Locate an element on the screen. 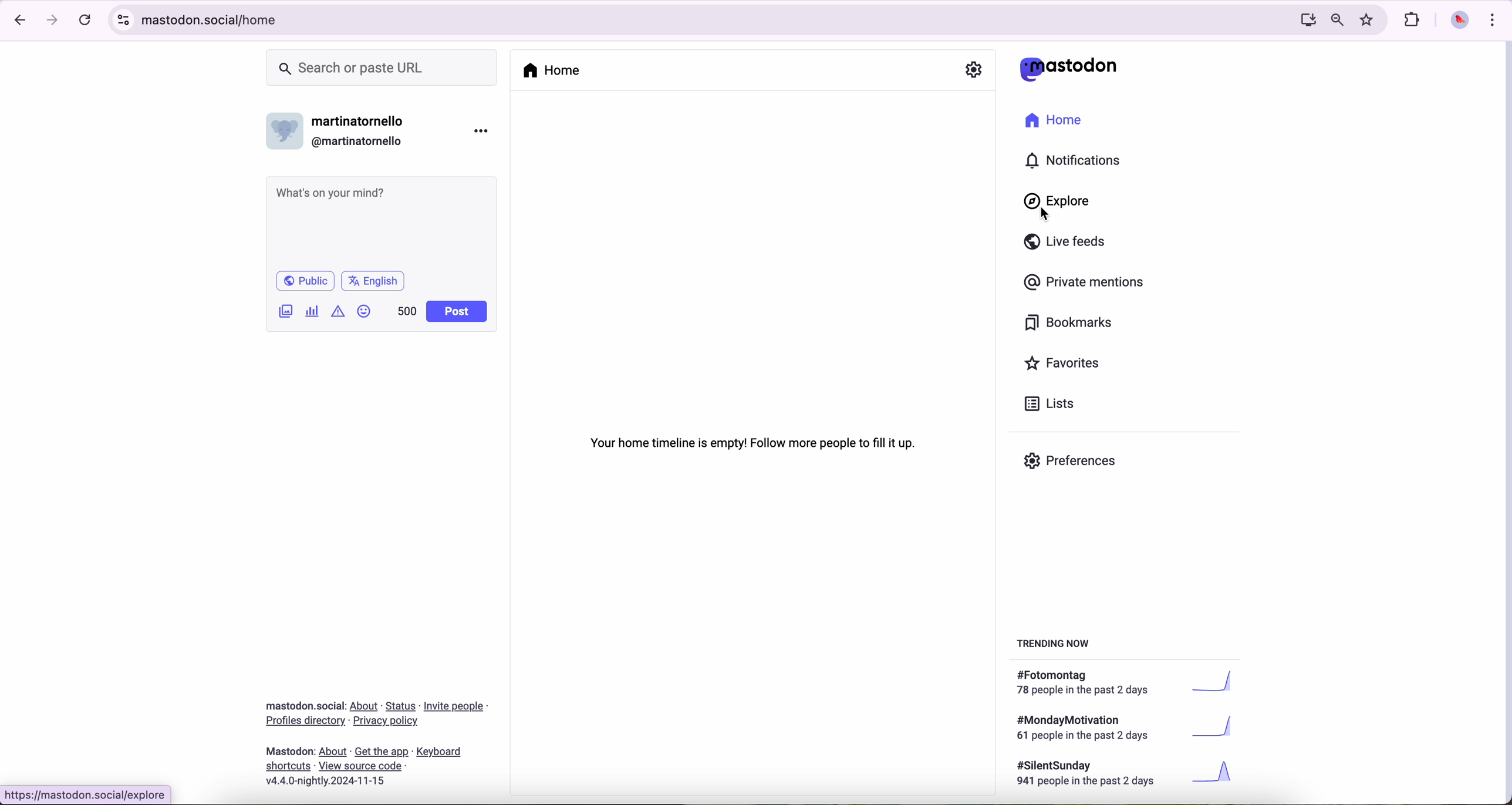 The image size is (1512, 805). about is located at coordinates (376, 739).